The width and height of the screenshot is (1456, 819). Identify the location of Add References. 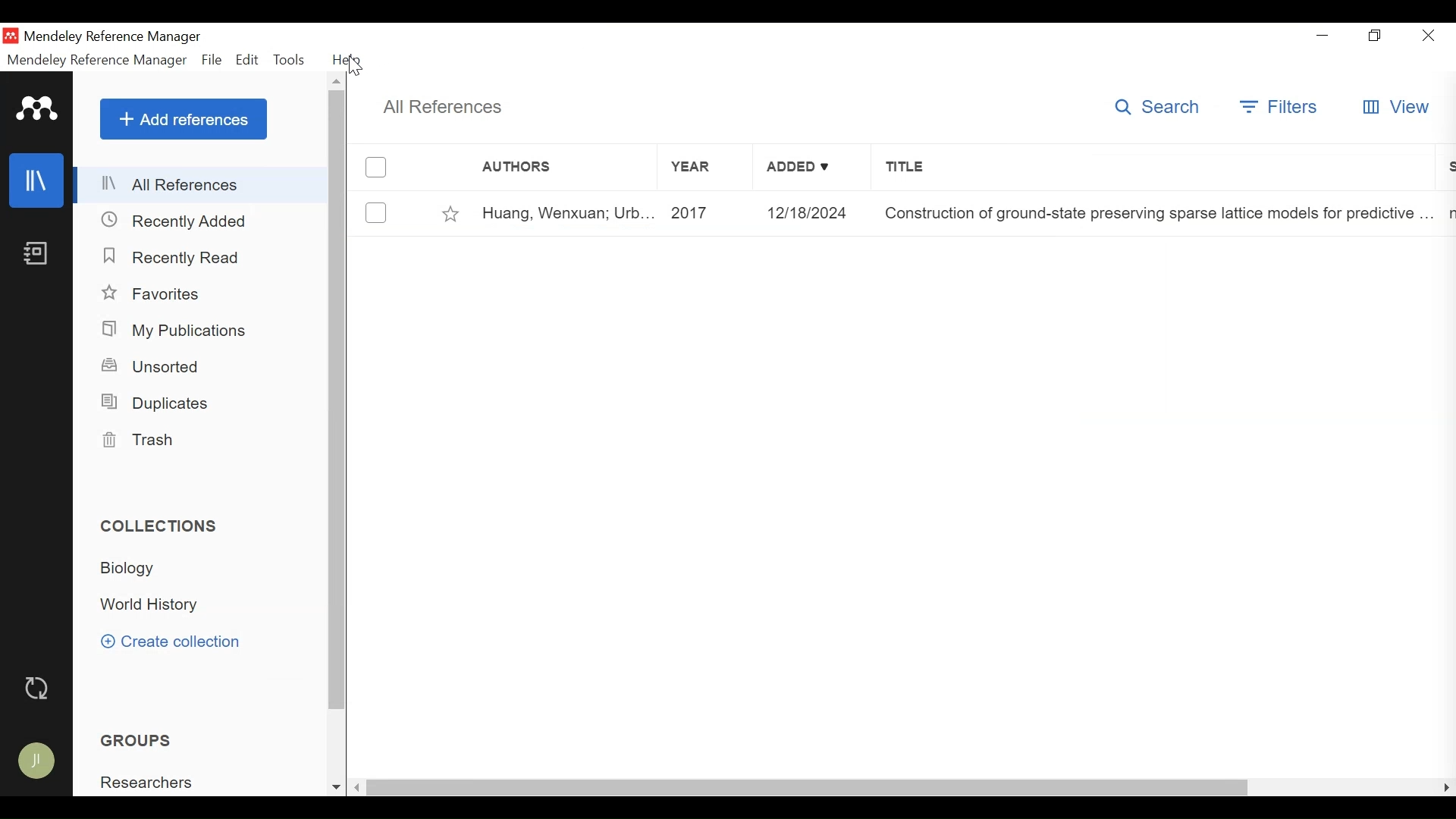
(184, 119).